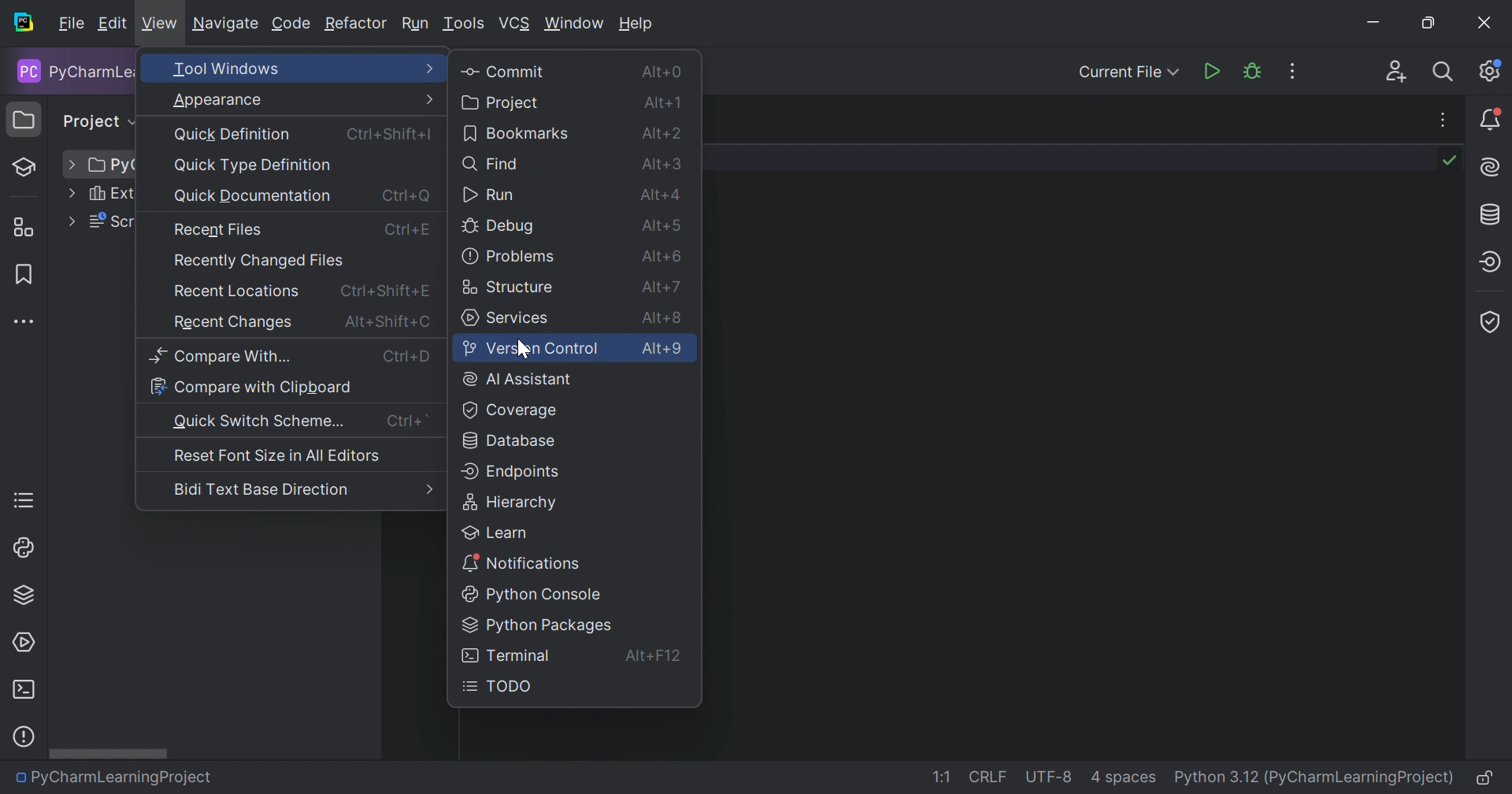 This screenshot has height=794, width=1512. Describe the element at coordinates (520, 560) in the screenshot. I see `Notifications` at that location.